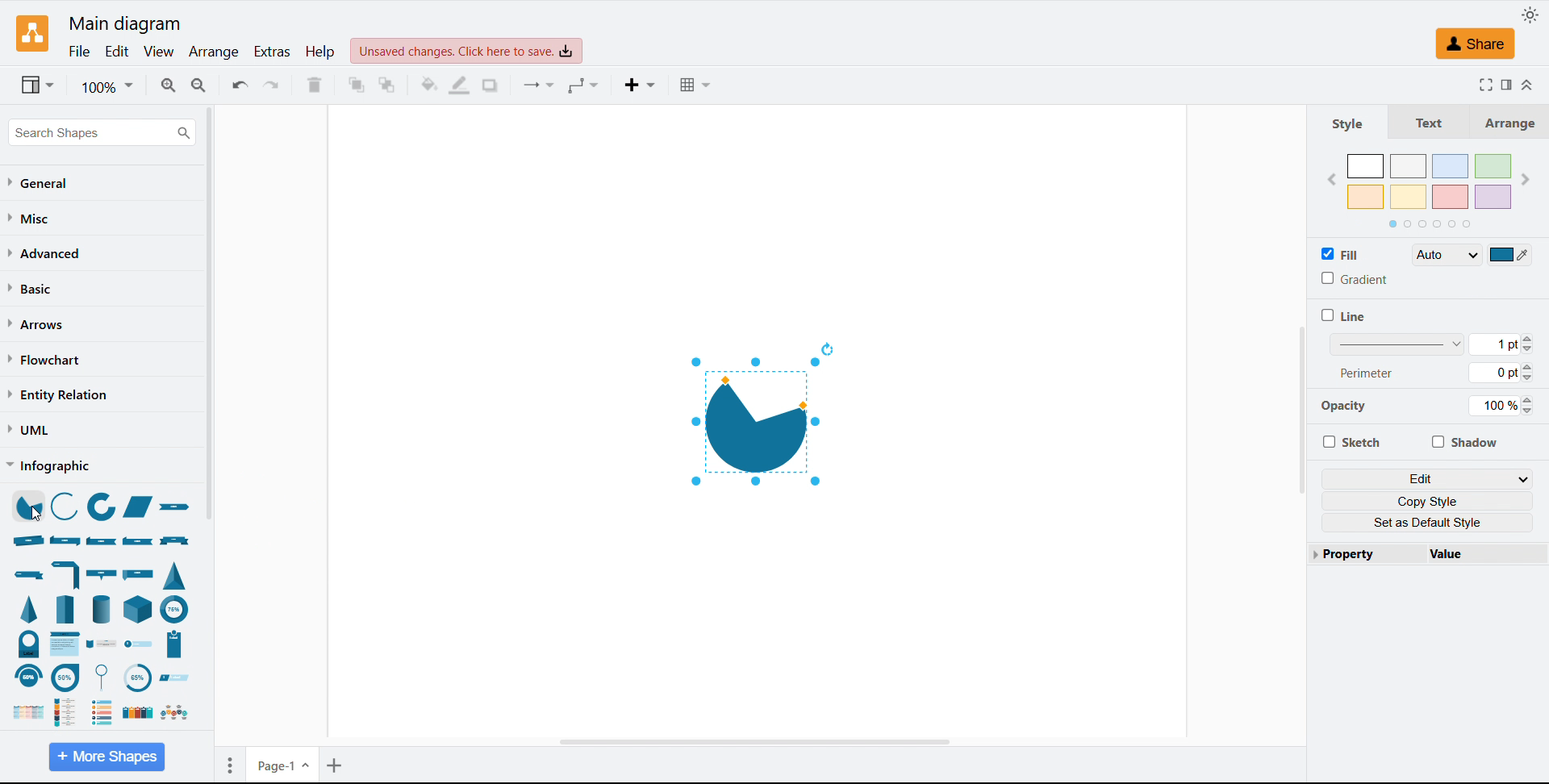 This screenshot has height=784, width=1549. I want to click on Property , so click(1364, 554).